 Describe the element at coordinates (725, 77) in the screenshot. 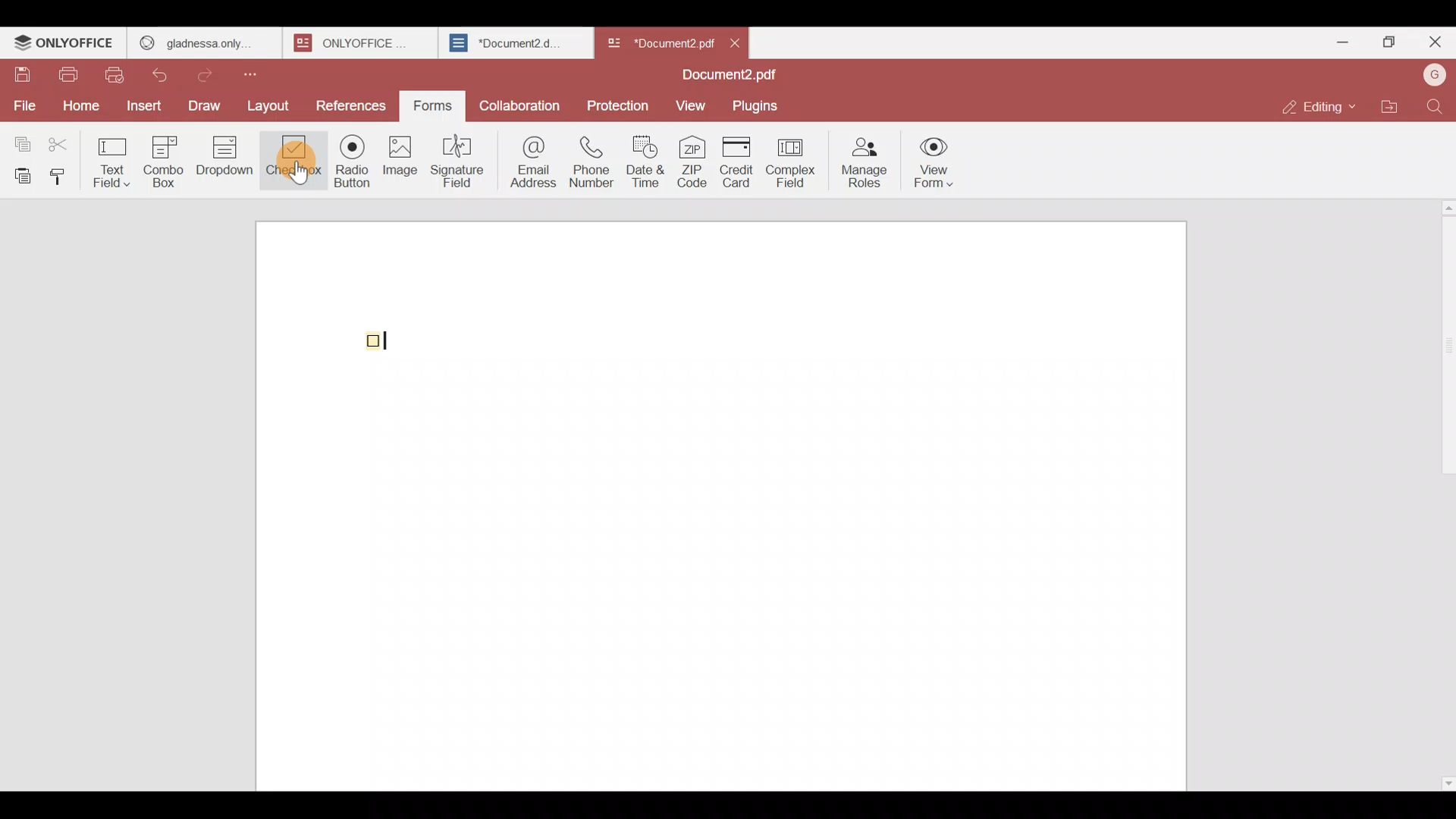

I see `Document2.pdf` at that location.